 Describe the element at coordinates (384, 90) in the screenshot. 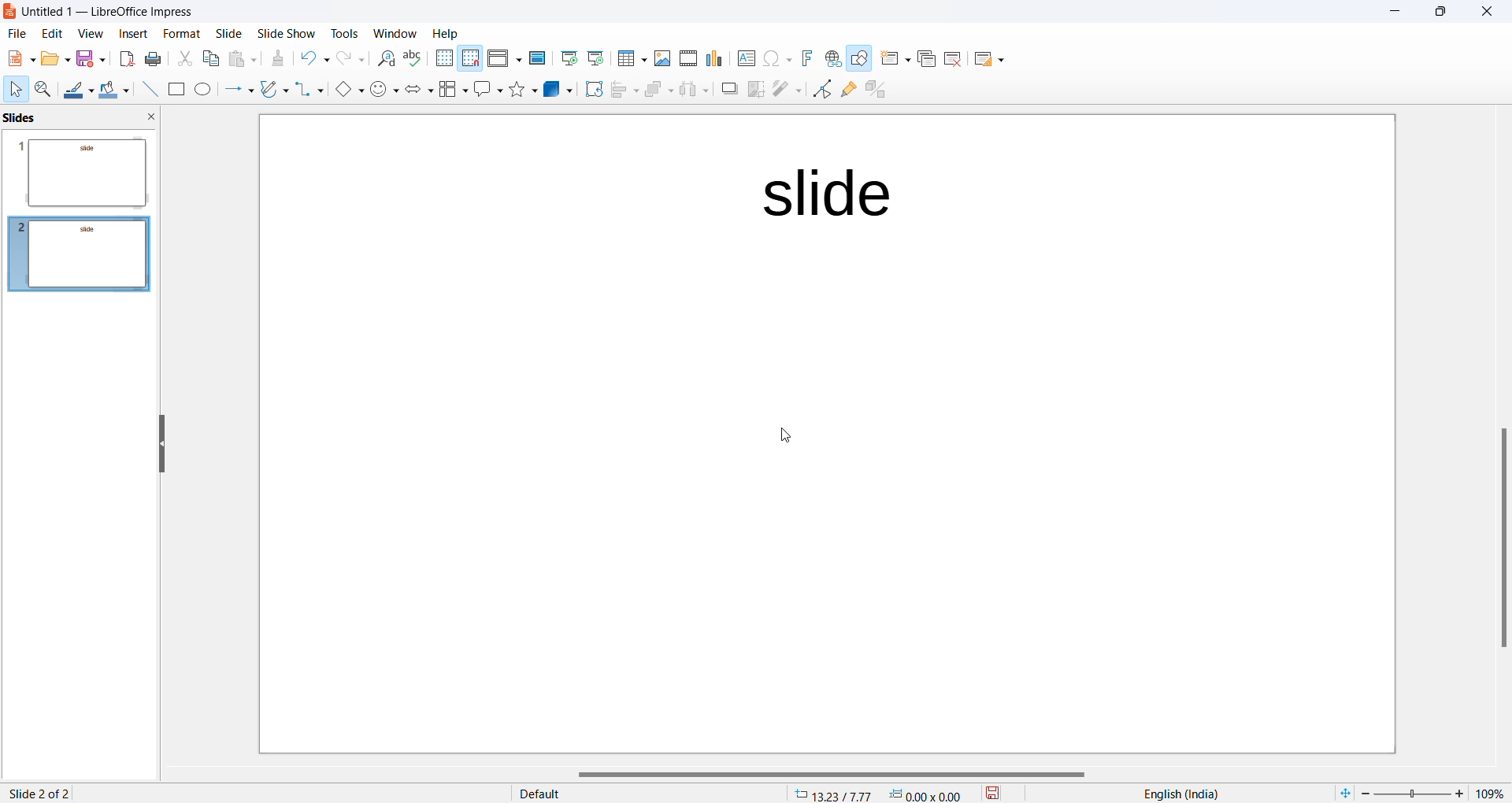

I see `symbol shapes` at that location.